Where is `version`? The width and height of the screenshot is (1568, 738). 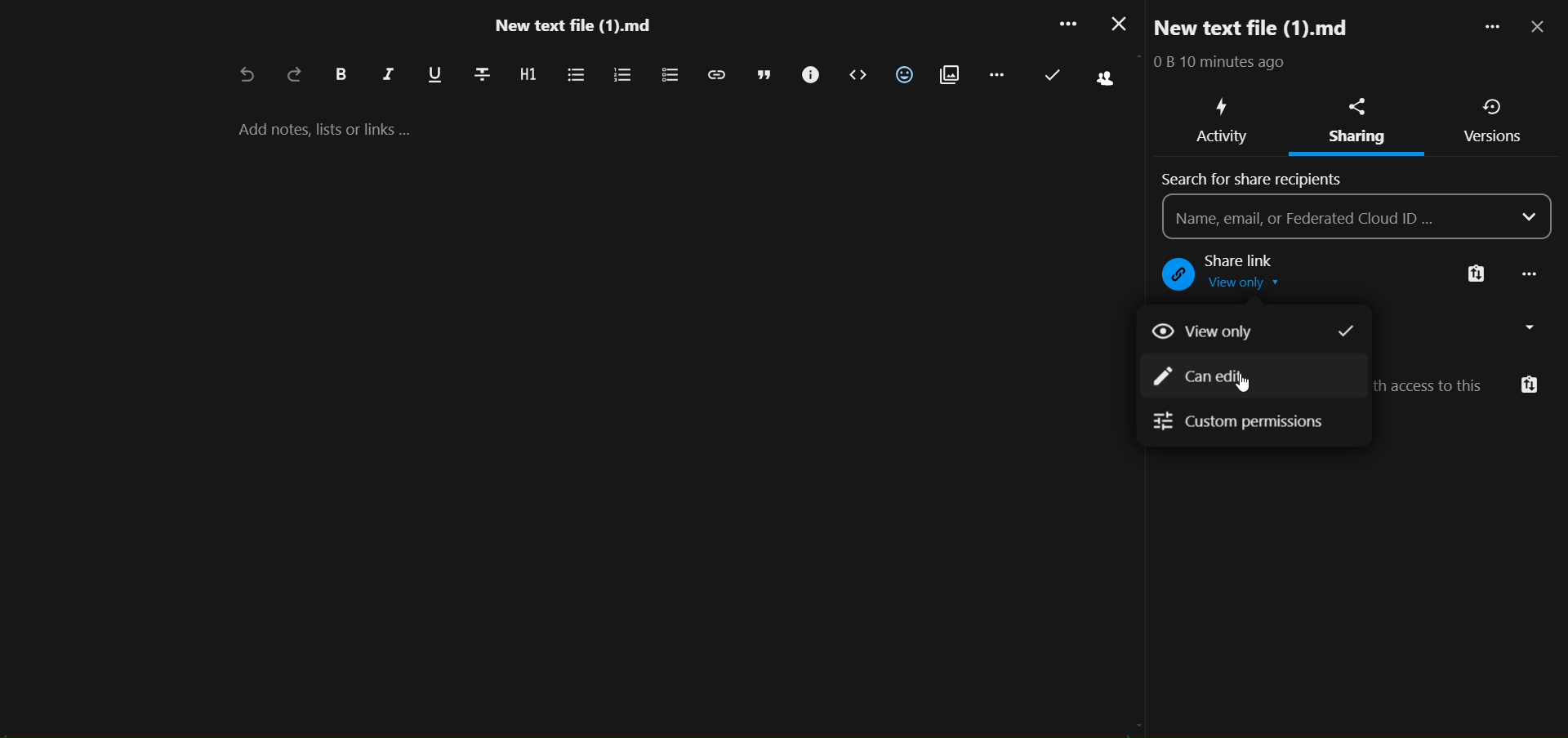 version is located at coordinates (1494, 140).